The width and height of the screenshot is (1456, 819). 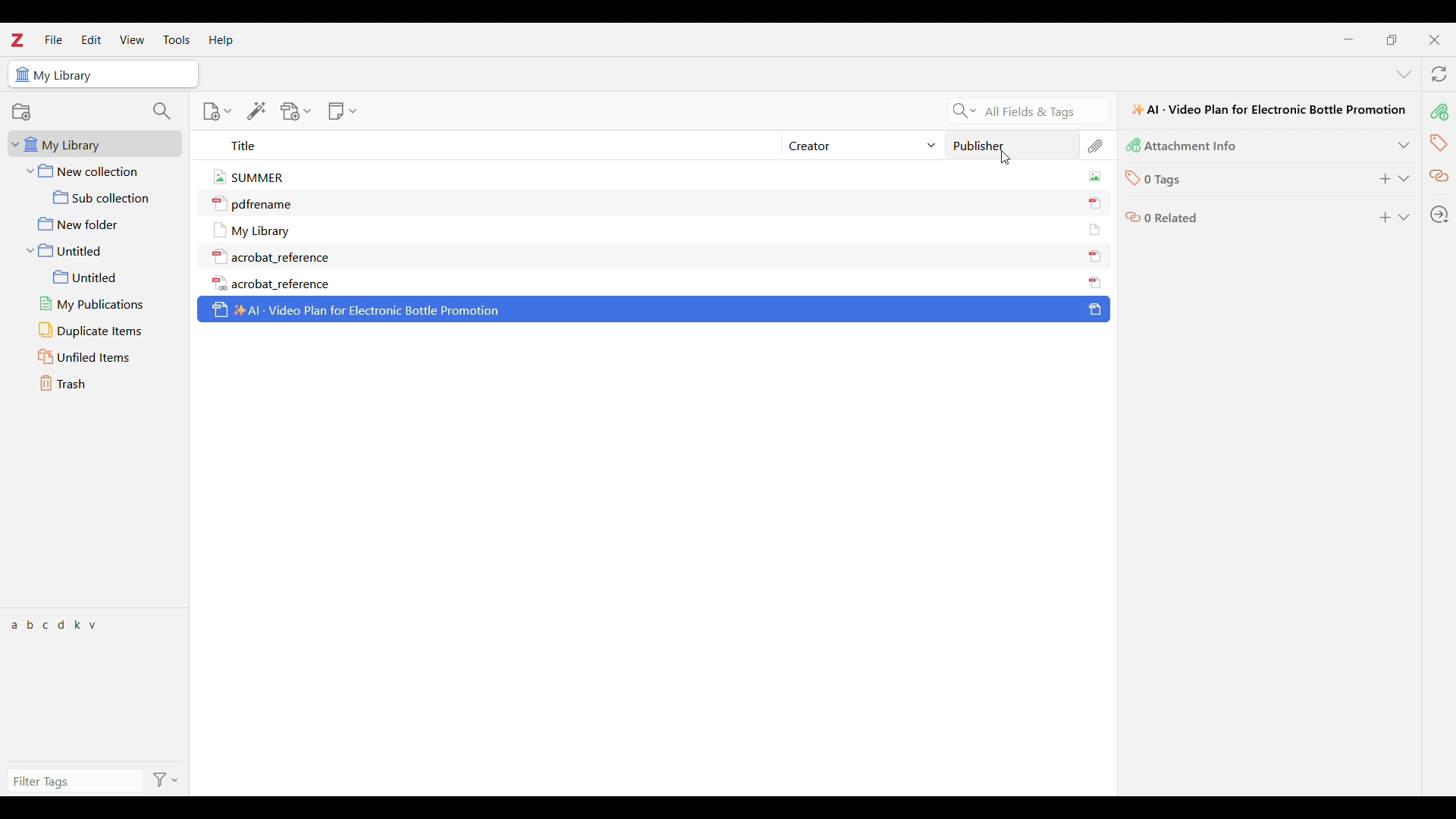 I want to click on summer, so click(x=249, y=178).